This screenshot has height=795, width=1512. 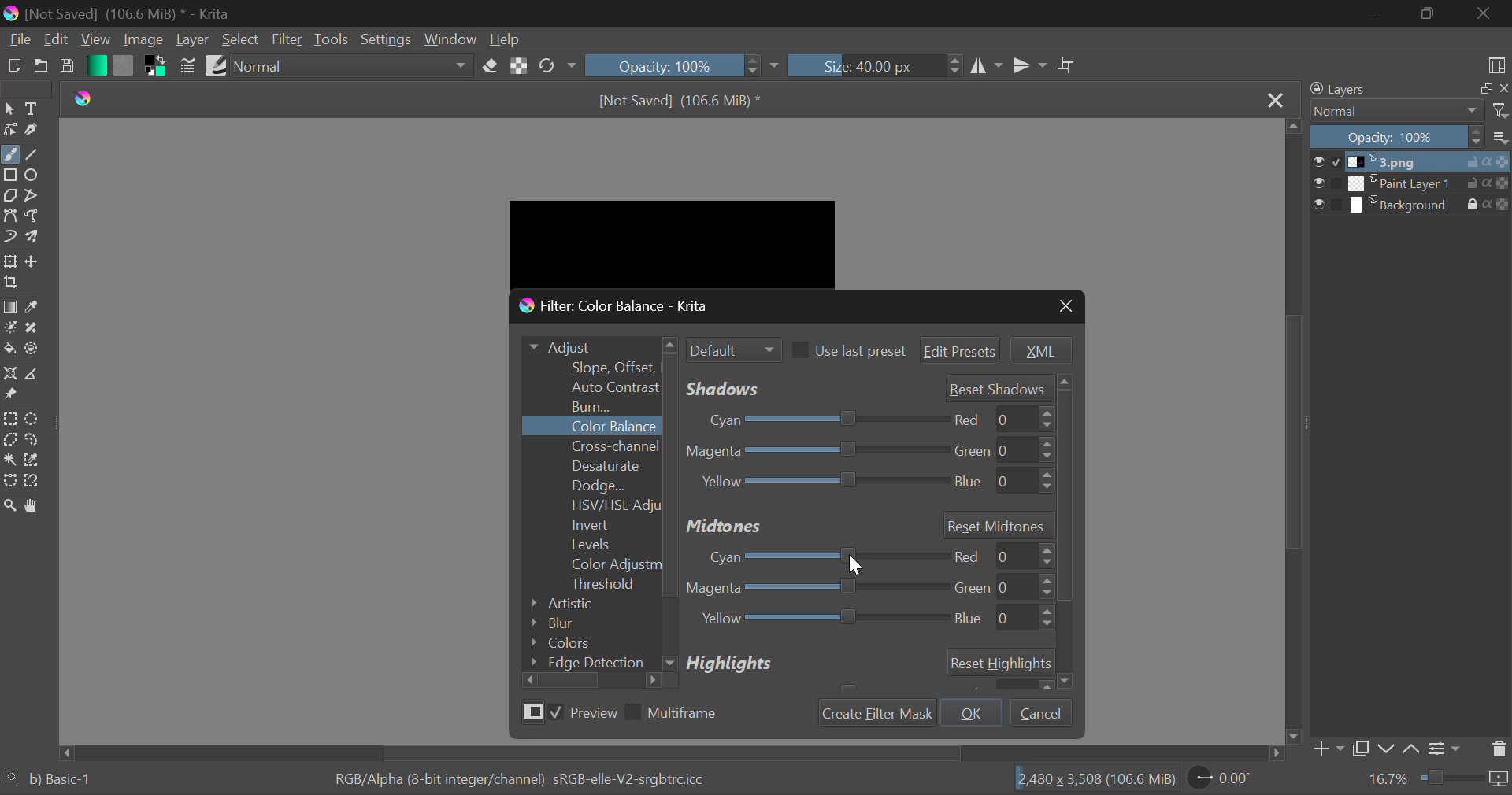 I want to click on duration, so click(x=1470, y=780).